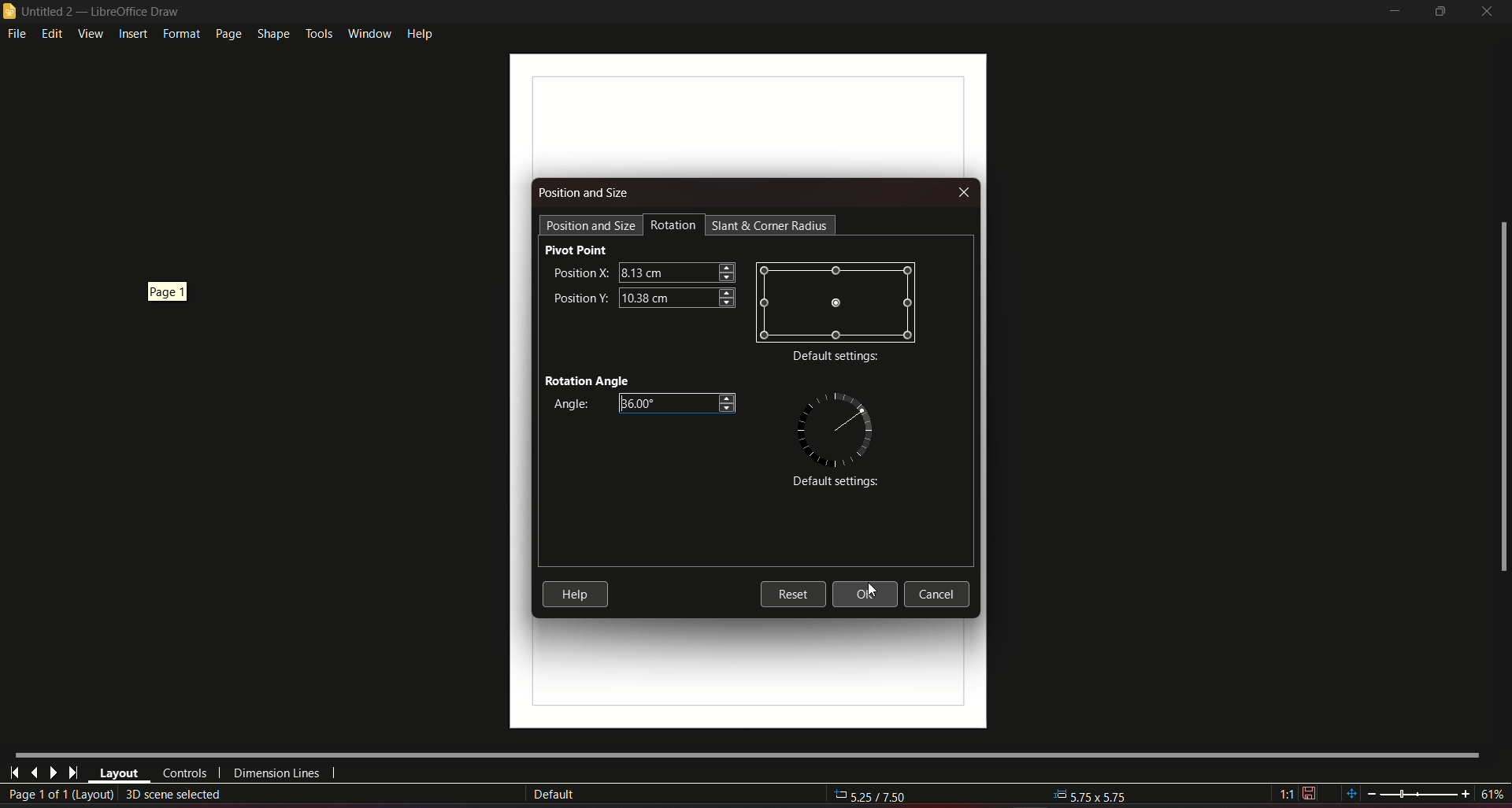 This screenshot has width=1512, height=808. What do you see at coordinates (676, 297) in the screenshot?
I see `textbox` at bounding box center [676, 297].